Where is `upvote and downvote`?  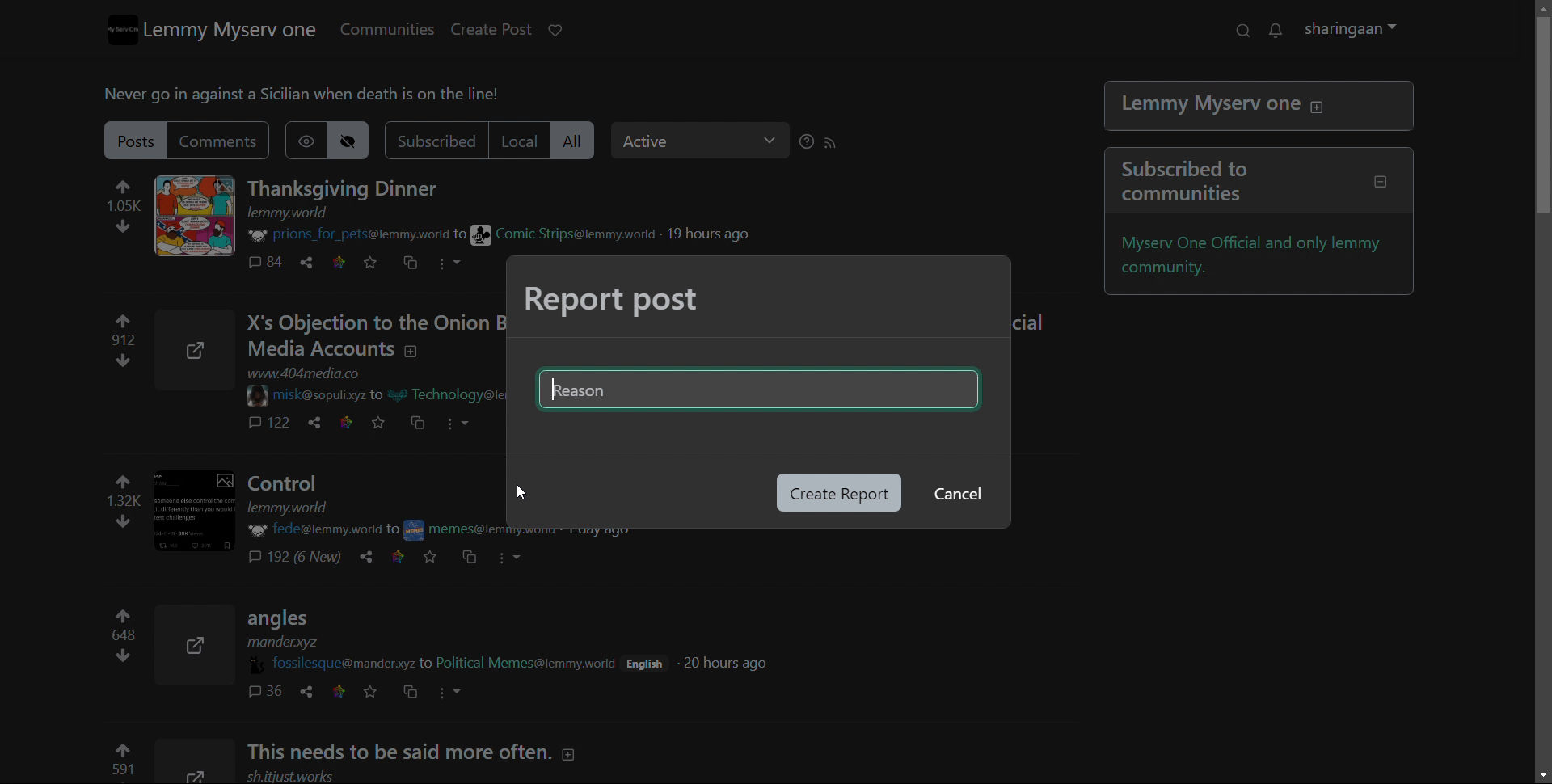 upvote and downvote is located at coordinates (119, 499).